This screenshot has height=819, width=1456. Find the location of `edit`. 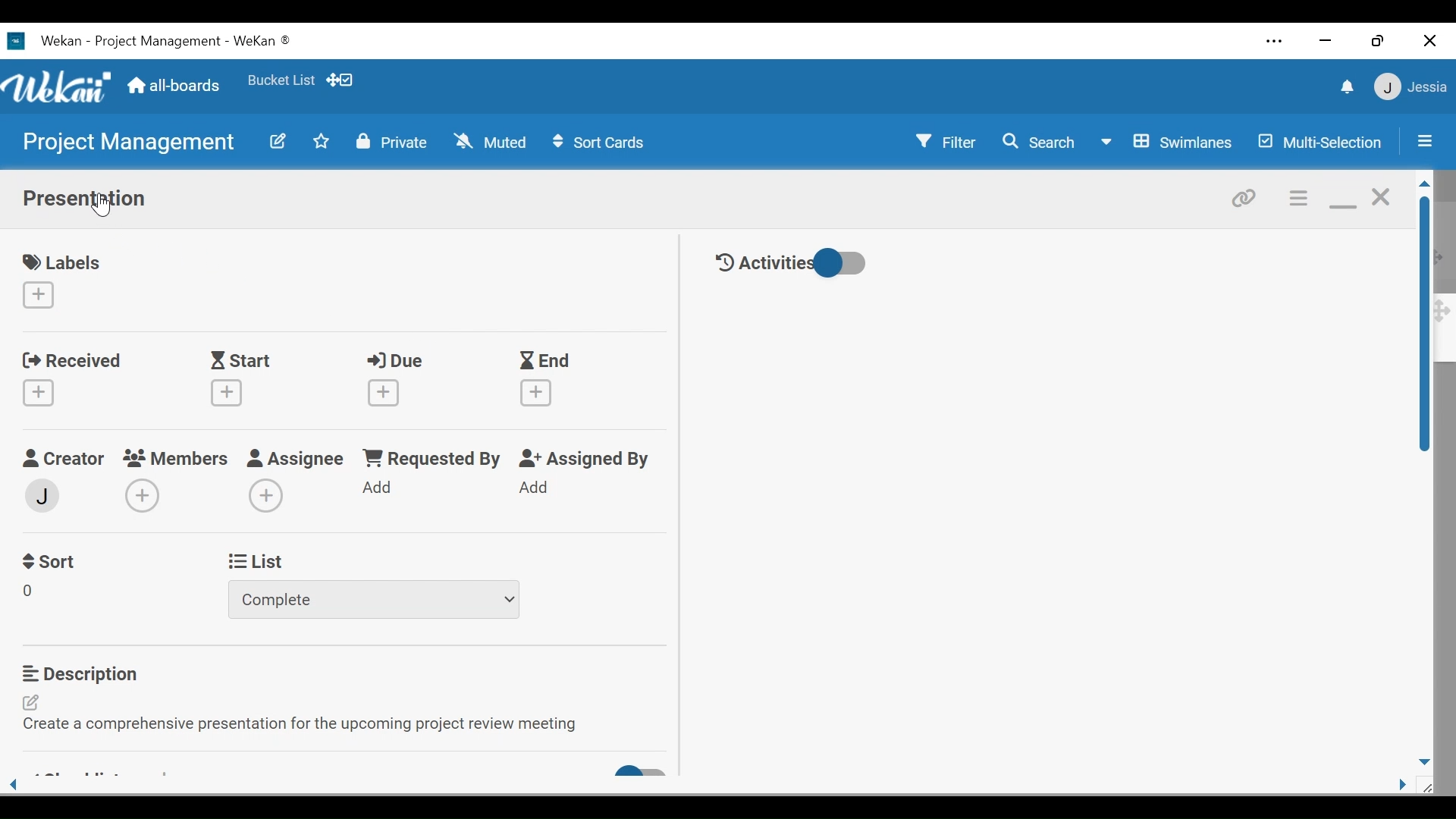

edit is located at coordinates (279, 142).